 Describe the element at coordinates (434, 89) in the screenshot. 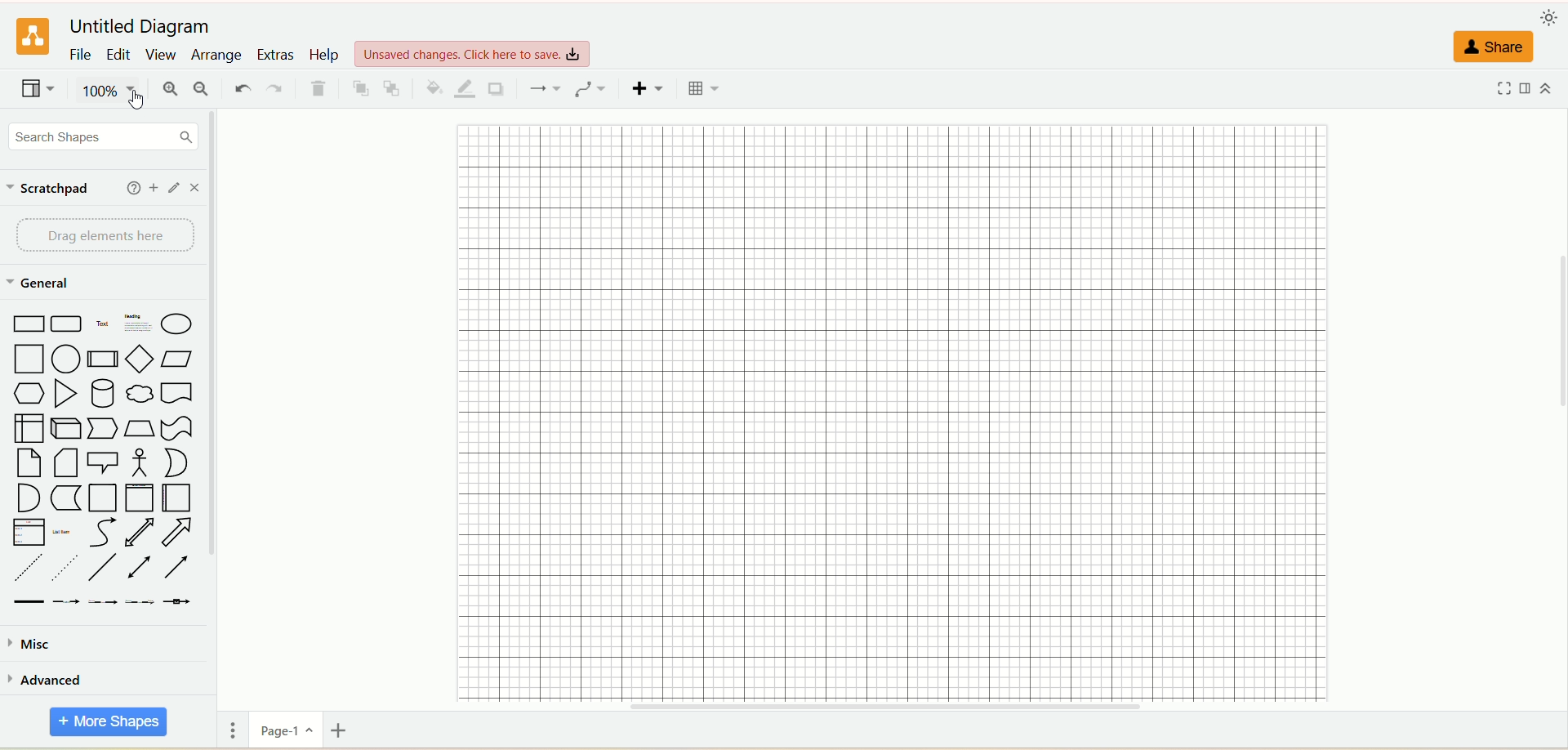

I see `fill color` at that location.